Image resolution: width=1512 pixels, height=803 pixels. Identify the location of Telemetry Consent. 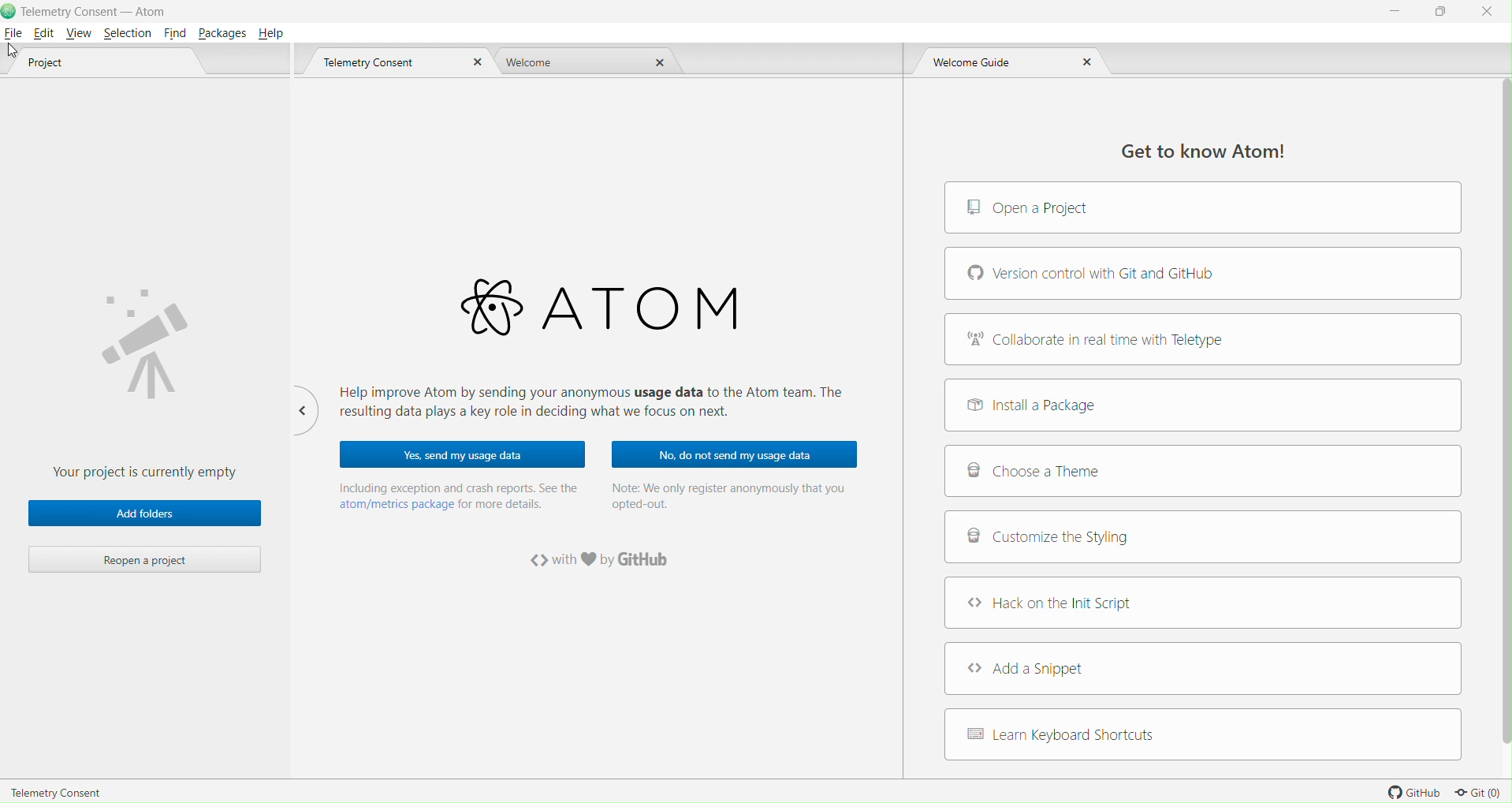
(382, 64).